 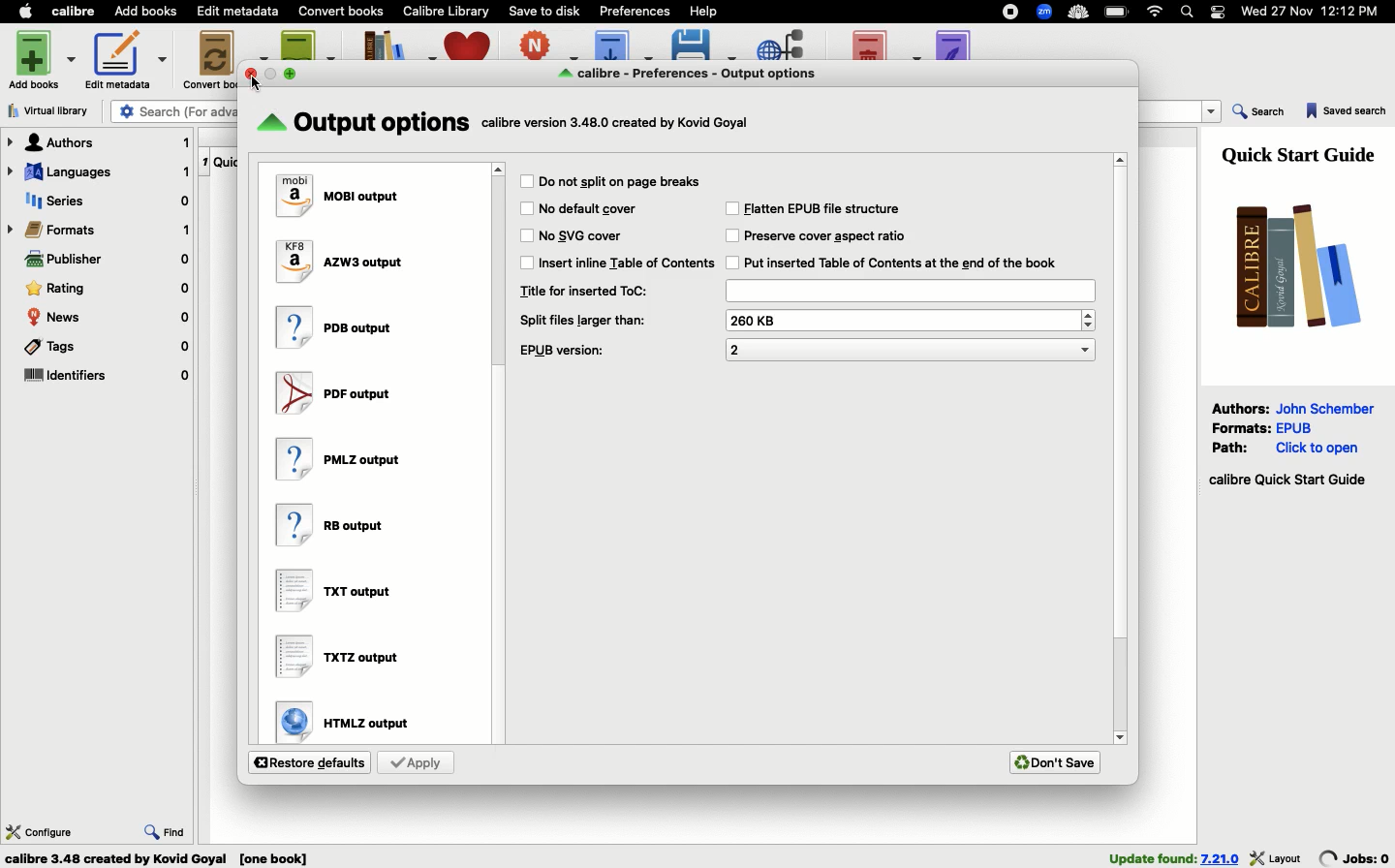 What do you see at coordinates (1046, 14) in the screenshot?
I see `Extensions` at bounding box center [1046, 14].